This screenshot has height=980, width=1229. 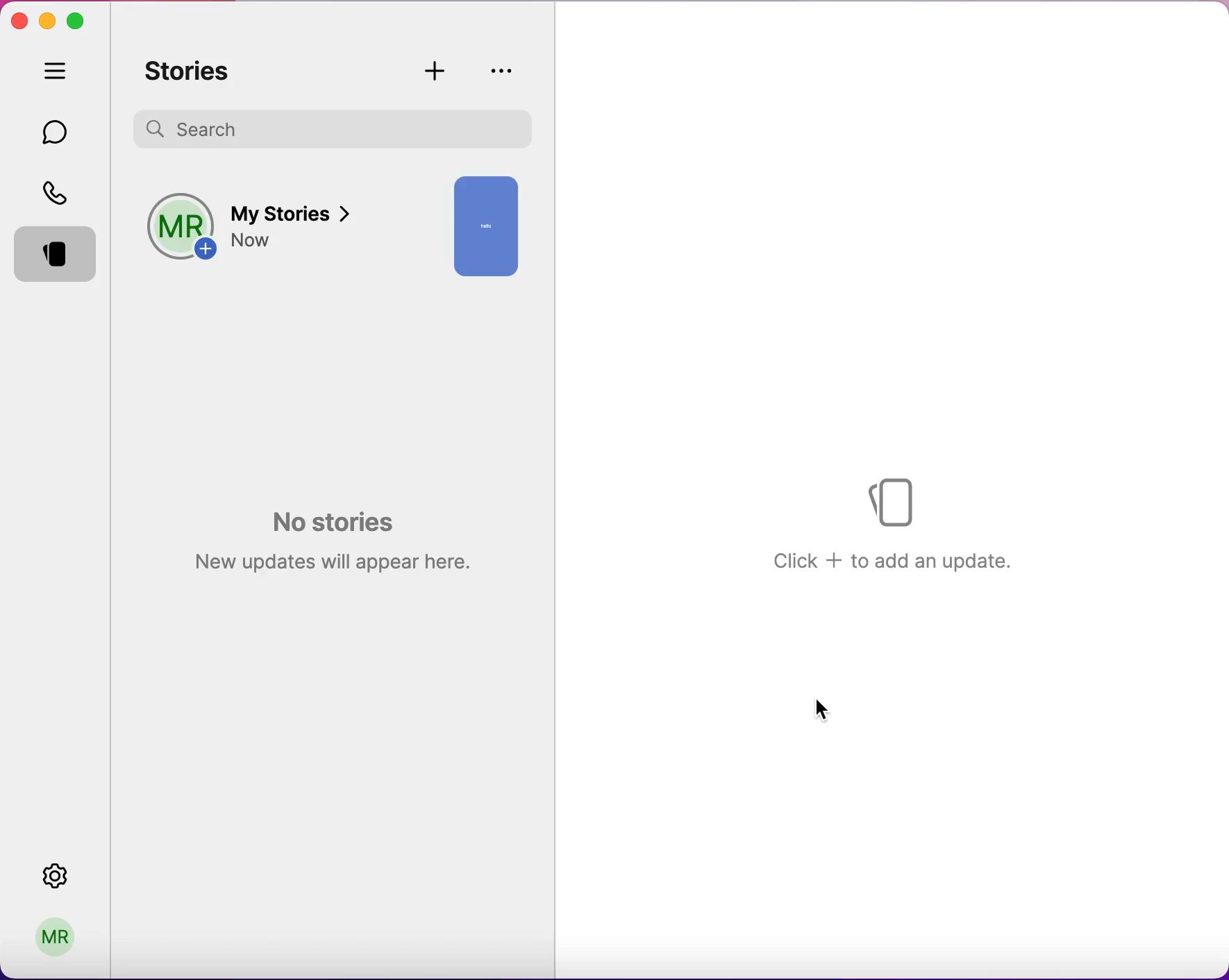 I want to click on my story, so click(x=290, y=207).